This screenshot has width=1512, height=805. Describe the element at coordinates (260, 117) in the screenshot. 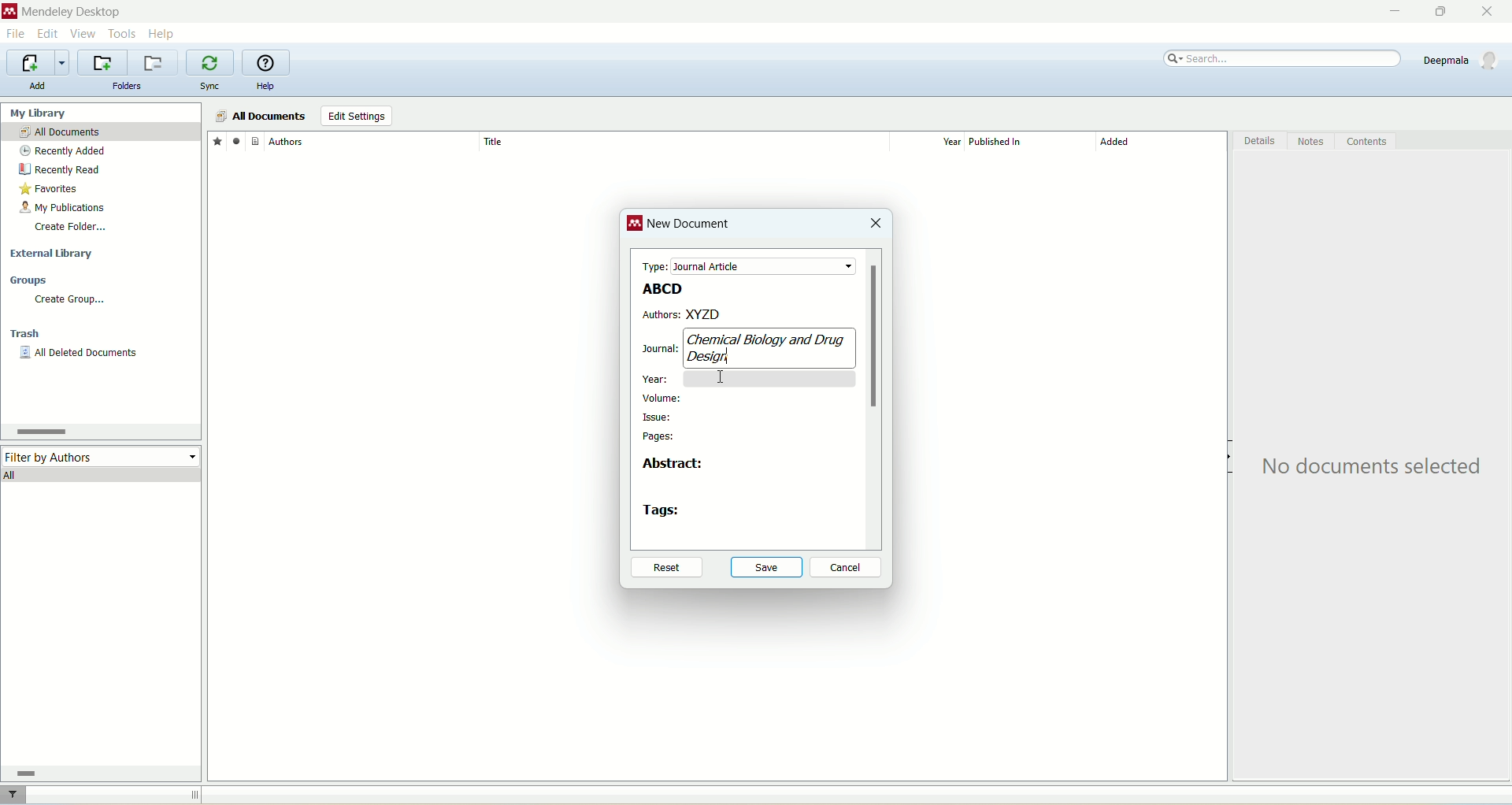

I see `all documents` at that location.